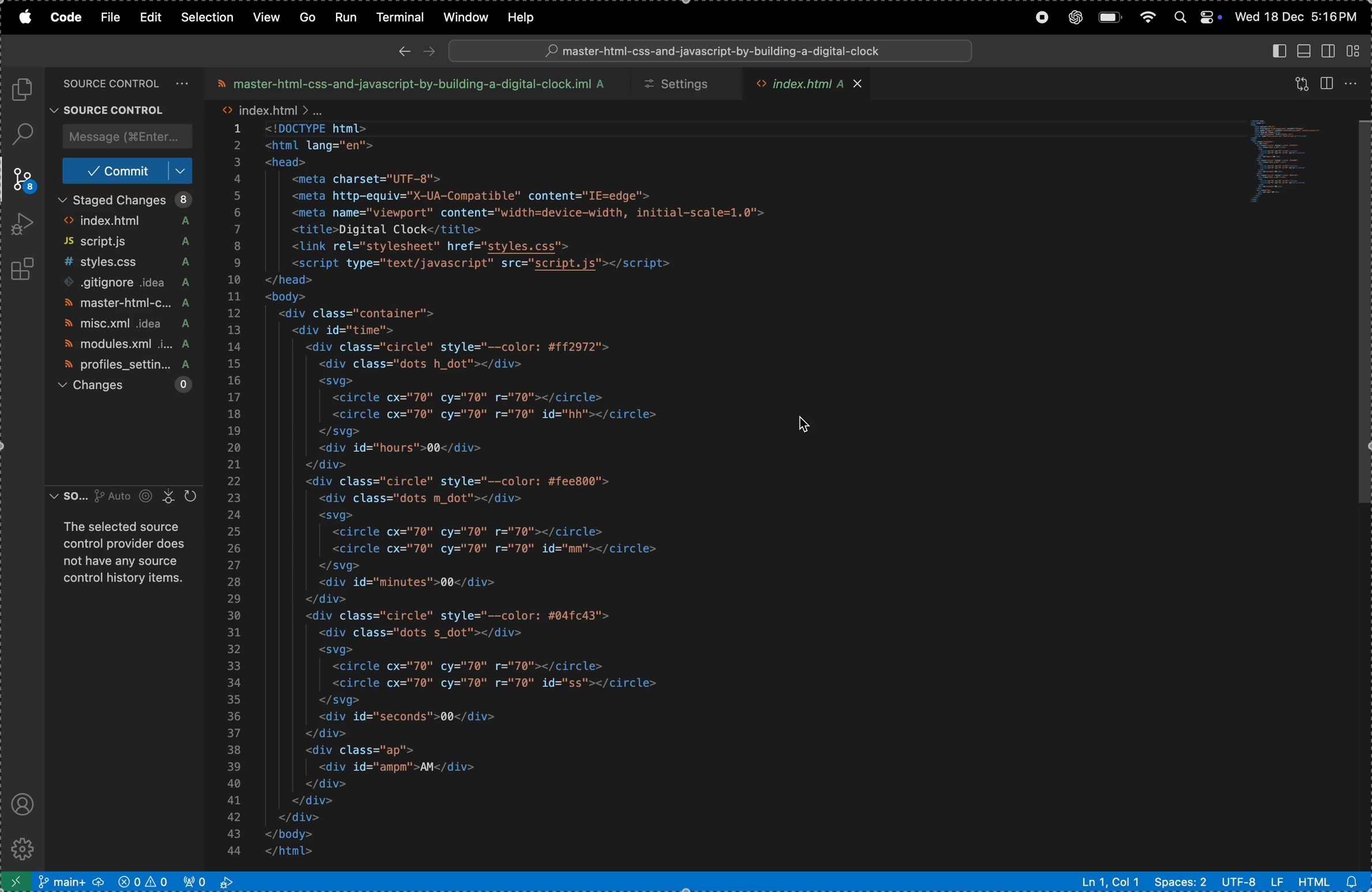 This screenshot has width=1372, height=892. What do you see at coordinates (534, 213) in the screenshot?
I see `<meta name="viewport" content="width=device-width, initial-scale=1.0">` at bounding box center [534, 213].